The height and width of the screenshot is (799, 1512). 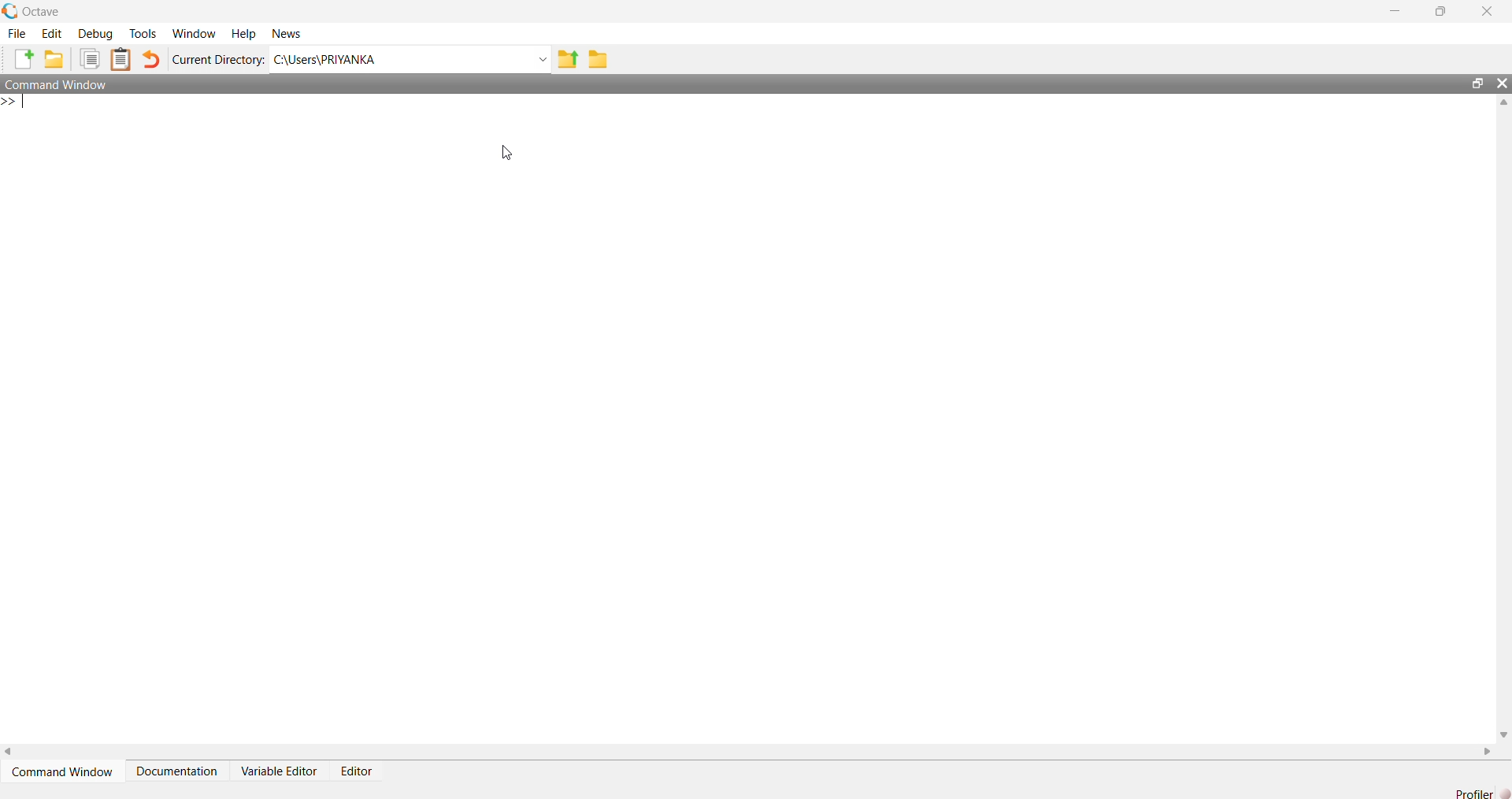 I want to click on Tools, so click(x=145, y=33).